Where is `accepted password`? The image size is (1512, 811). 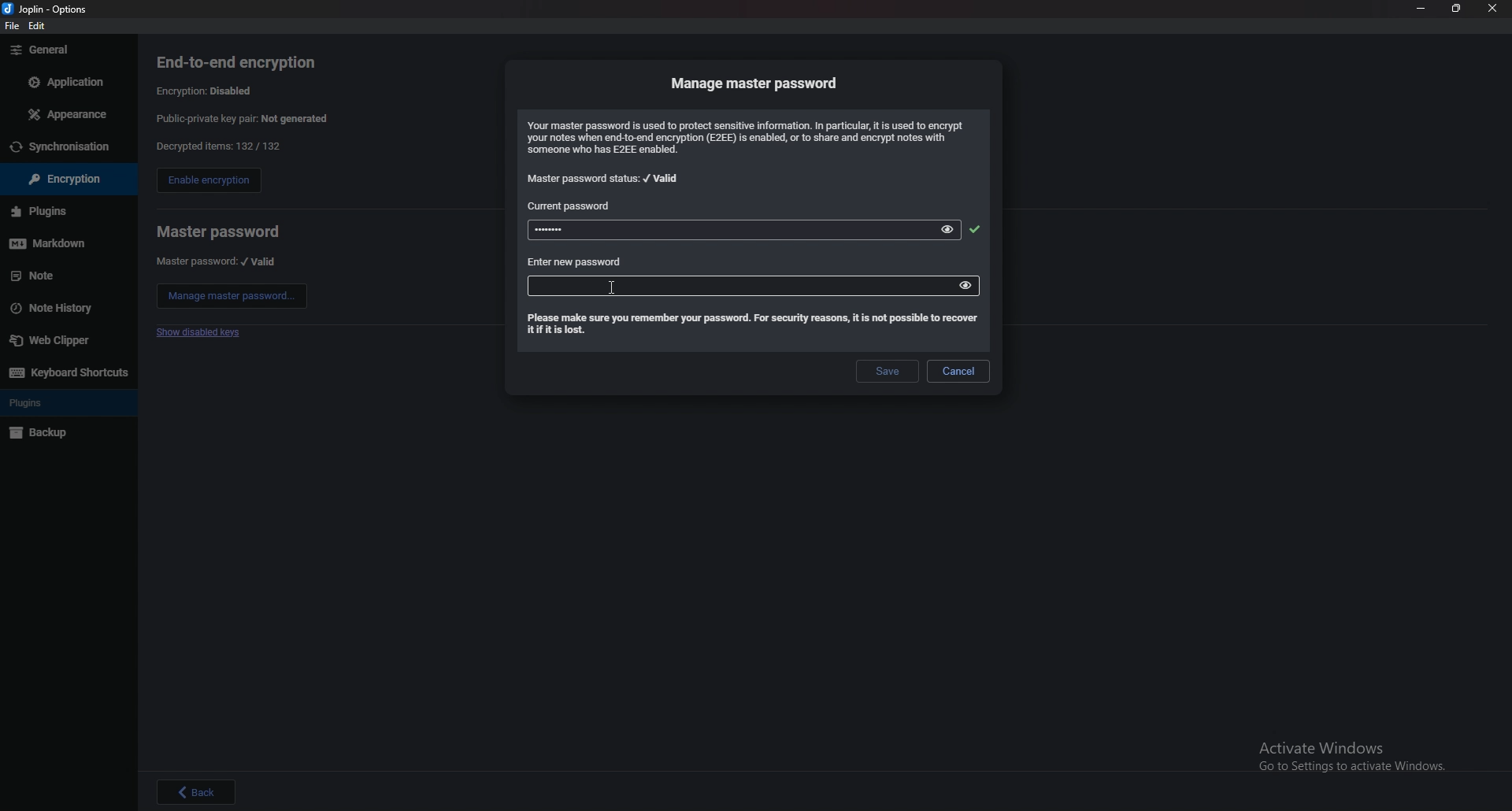
accepted password is located at coordinates (974, 229).